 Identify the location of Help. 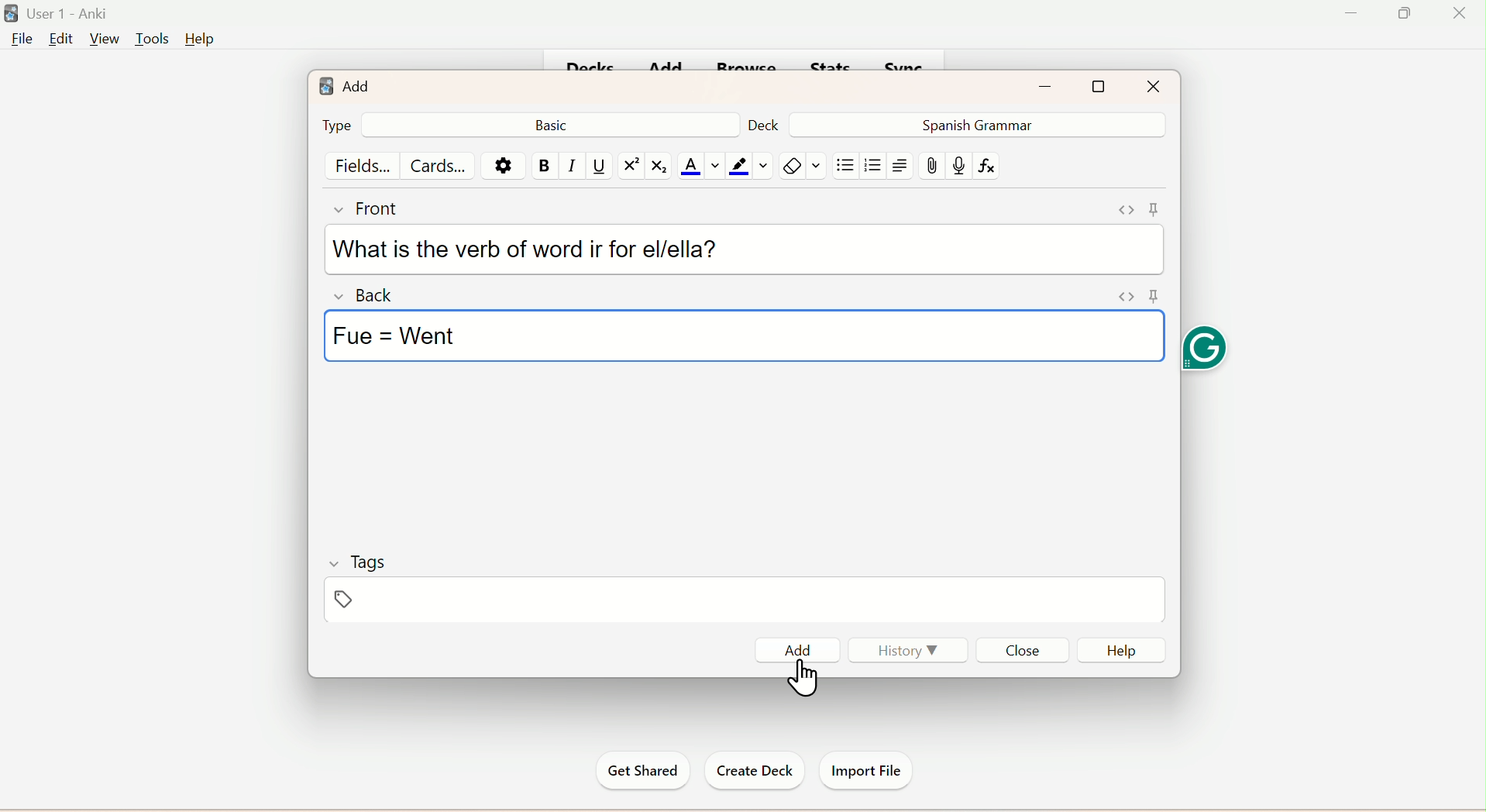
(198, 40).